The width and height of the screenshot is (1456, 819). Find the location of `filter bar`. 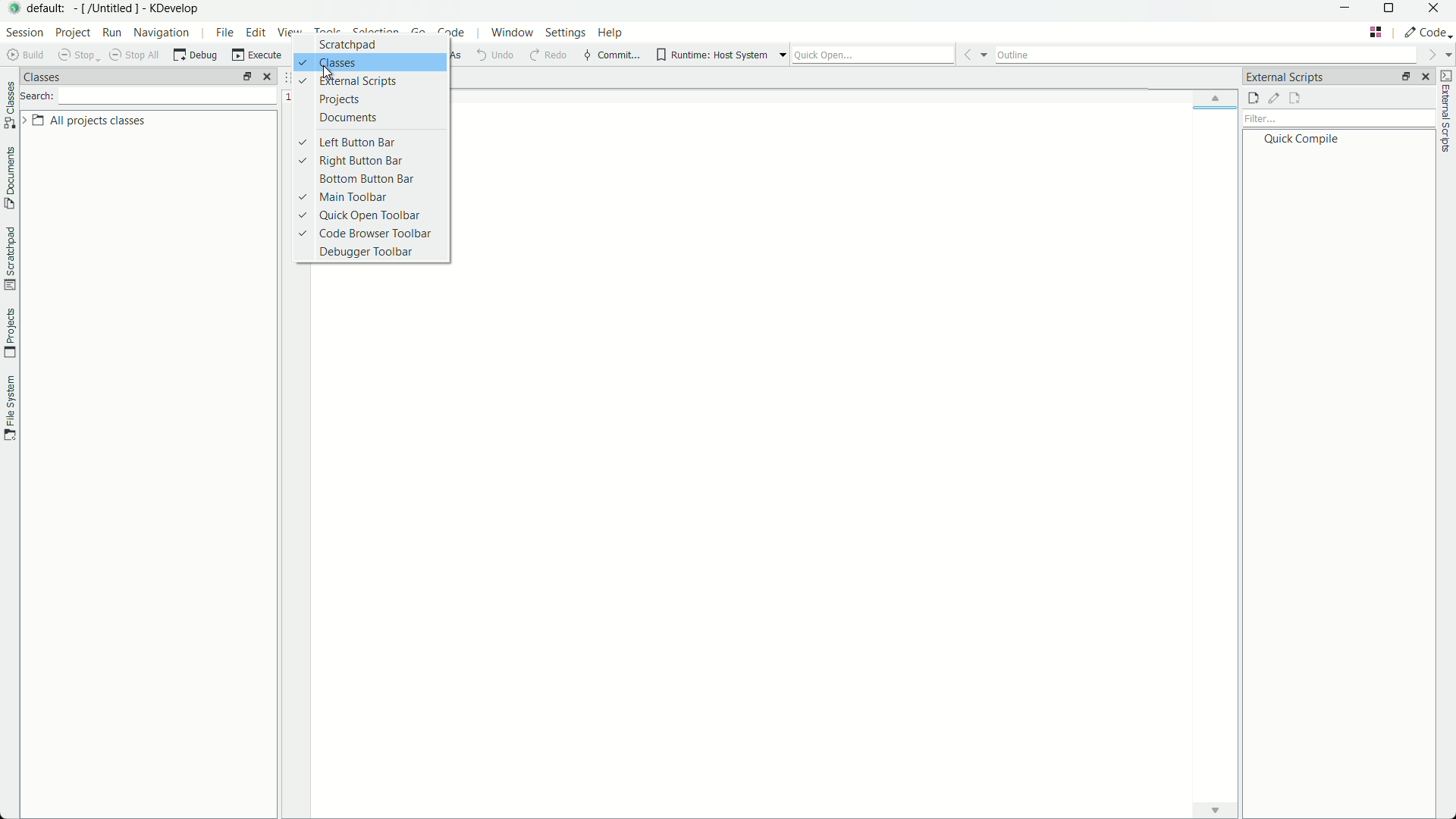

filter bar is located at coordinates (1340, 119).